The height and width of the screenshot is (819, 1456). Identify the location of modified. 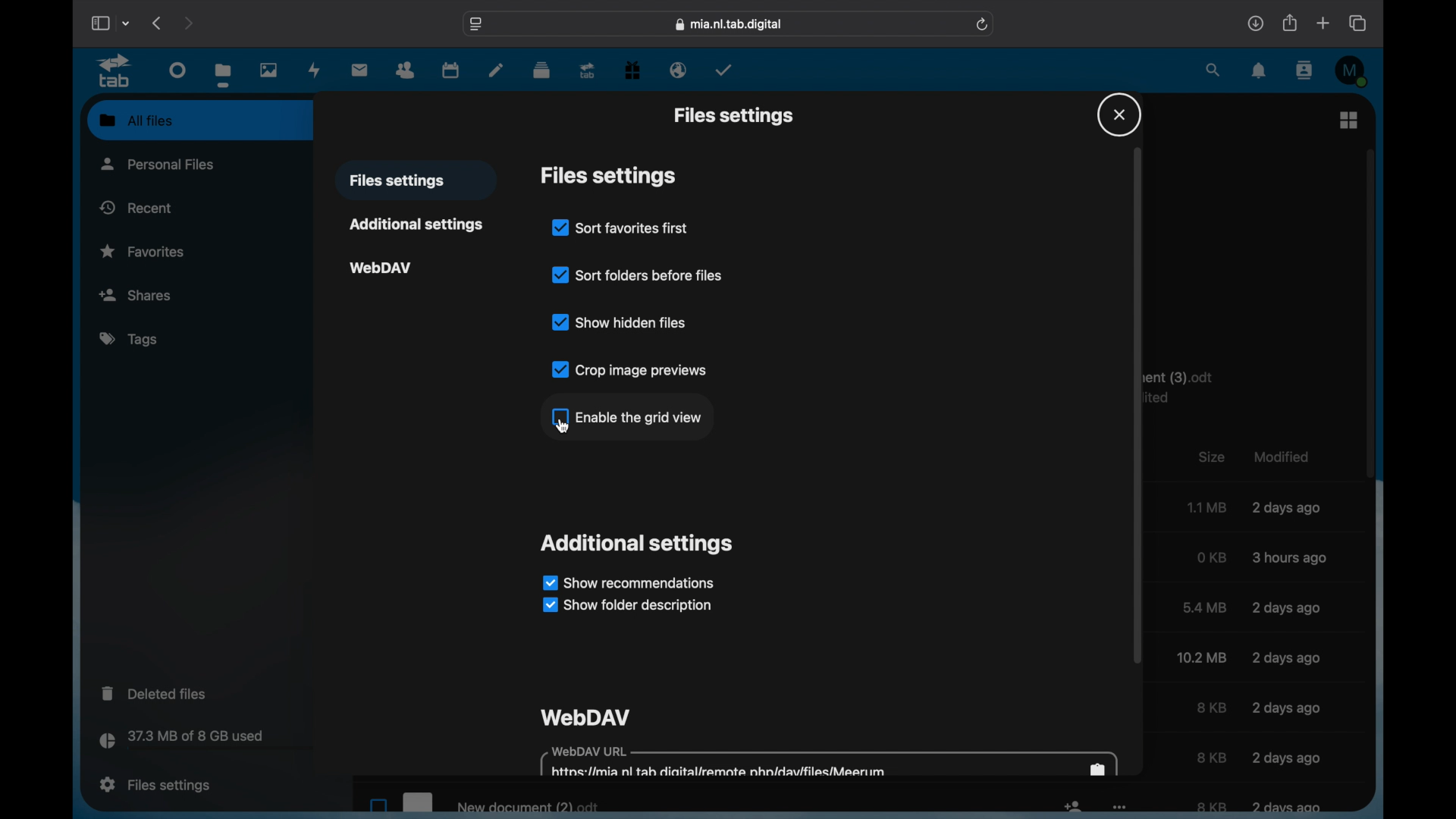
(1288, 509).